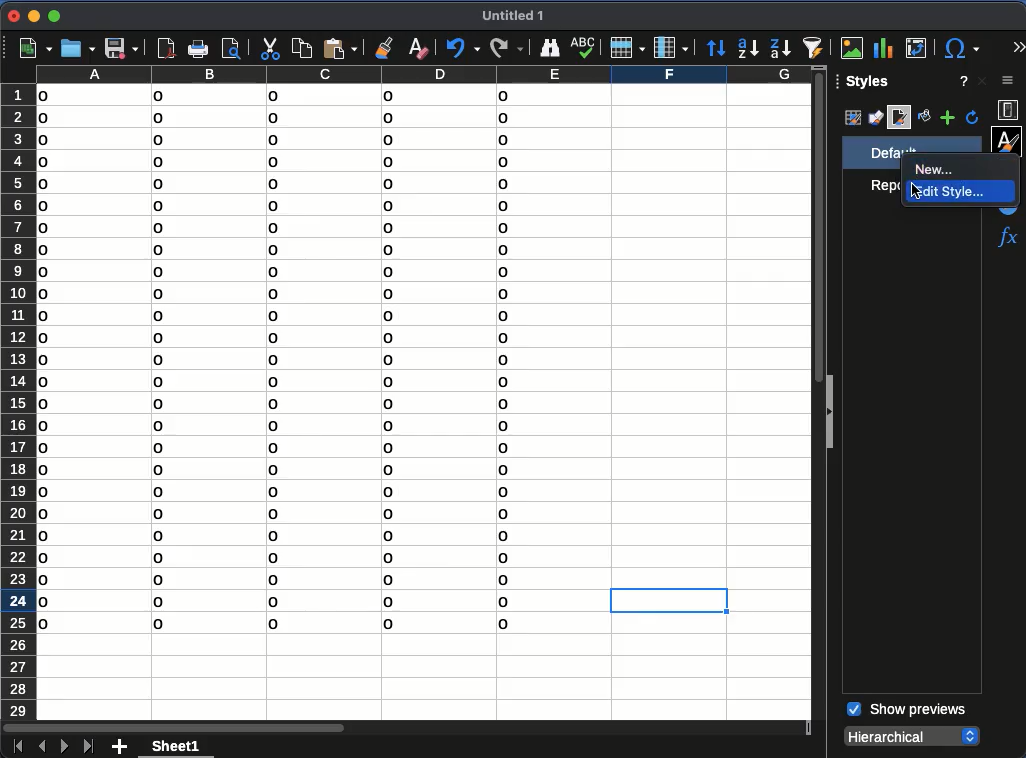 The height and width of the screenshot is (758, 1026). What do you see at coordinates (77, 48) in the screenshot?
I see `open` at bounding box center [77, 48].